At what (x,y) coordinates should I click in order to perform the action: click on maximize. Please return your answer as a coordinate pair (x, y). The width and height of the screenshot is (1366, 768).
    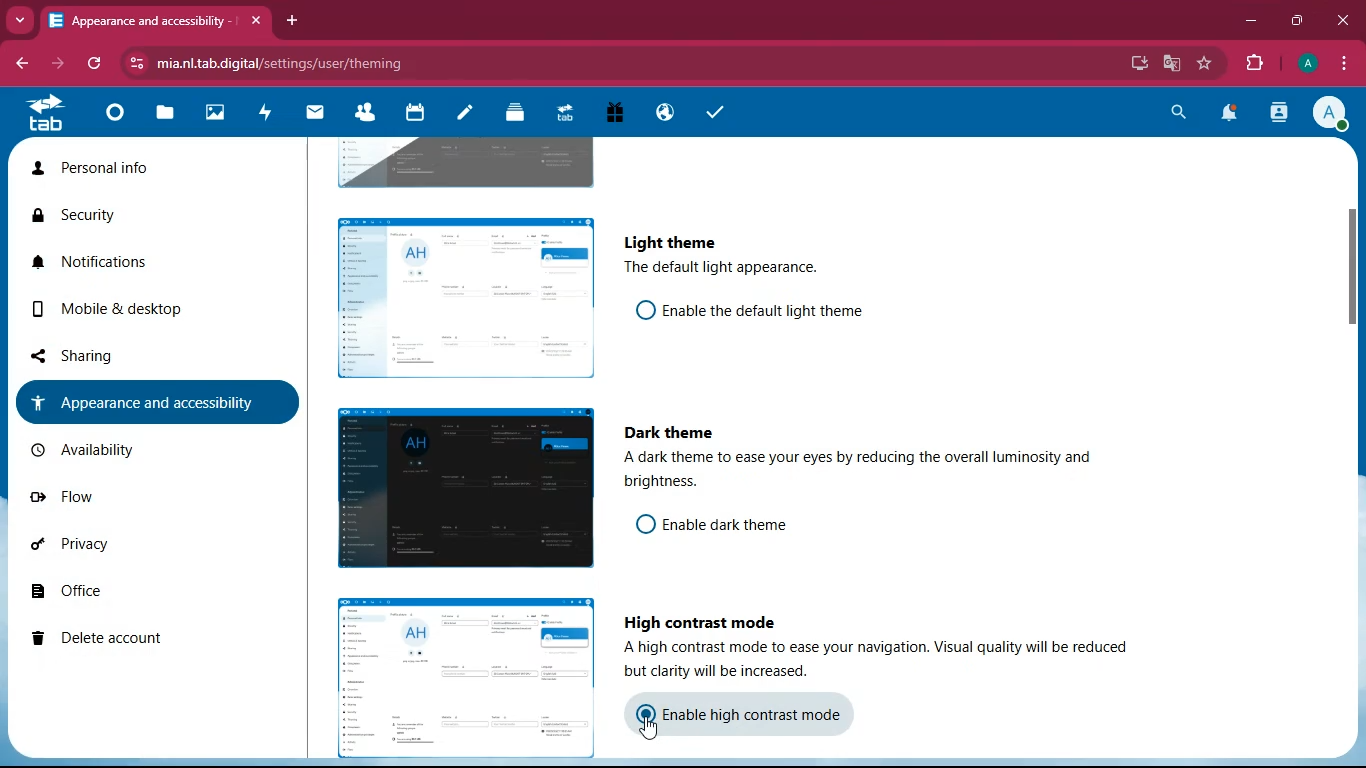
    Looking at the image, I should click on (1298, 22).